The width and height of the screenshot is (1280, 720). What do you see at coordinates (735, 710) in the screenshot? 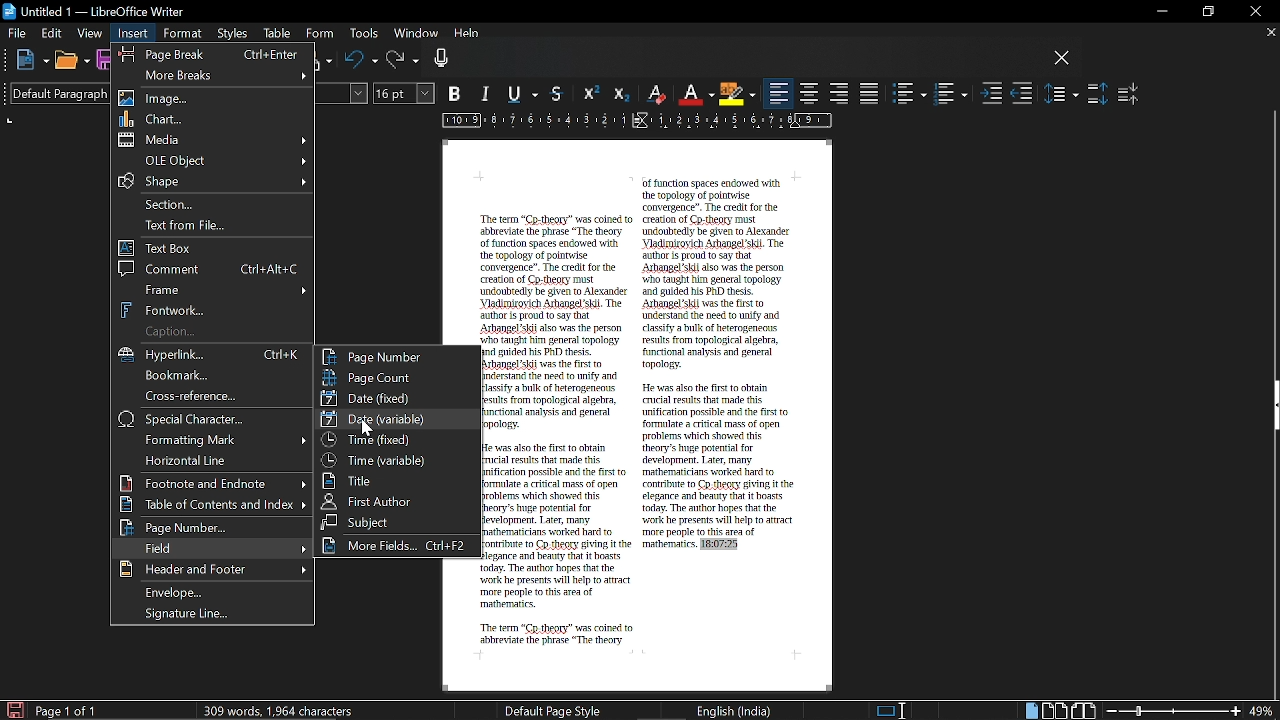
I see `English (India)` at bounding box center [735, 710].